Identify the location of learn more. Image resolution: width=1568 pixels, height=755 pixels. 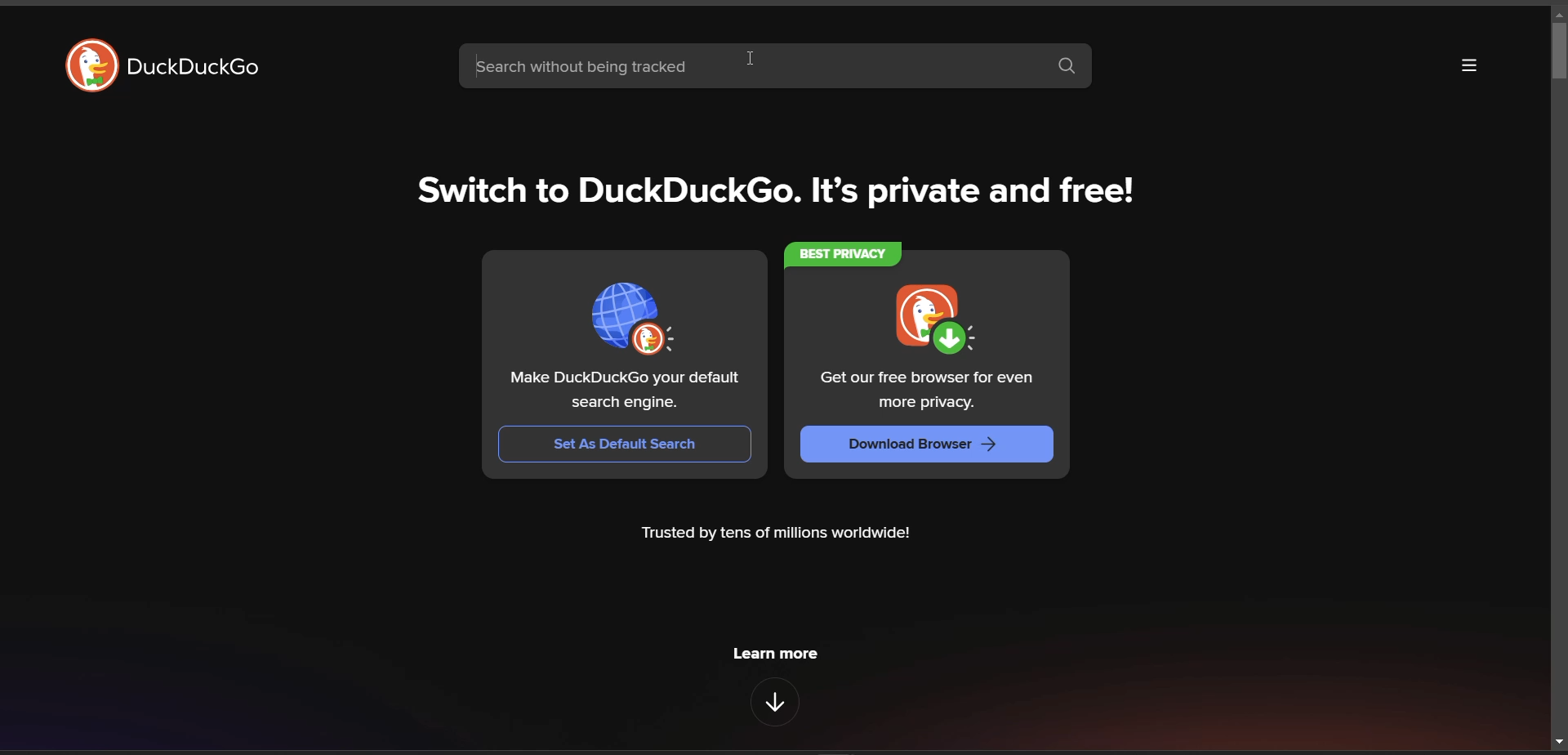
(775, 652).